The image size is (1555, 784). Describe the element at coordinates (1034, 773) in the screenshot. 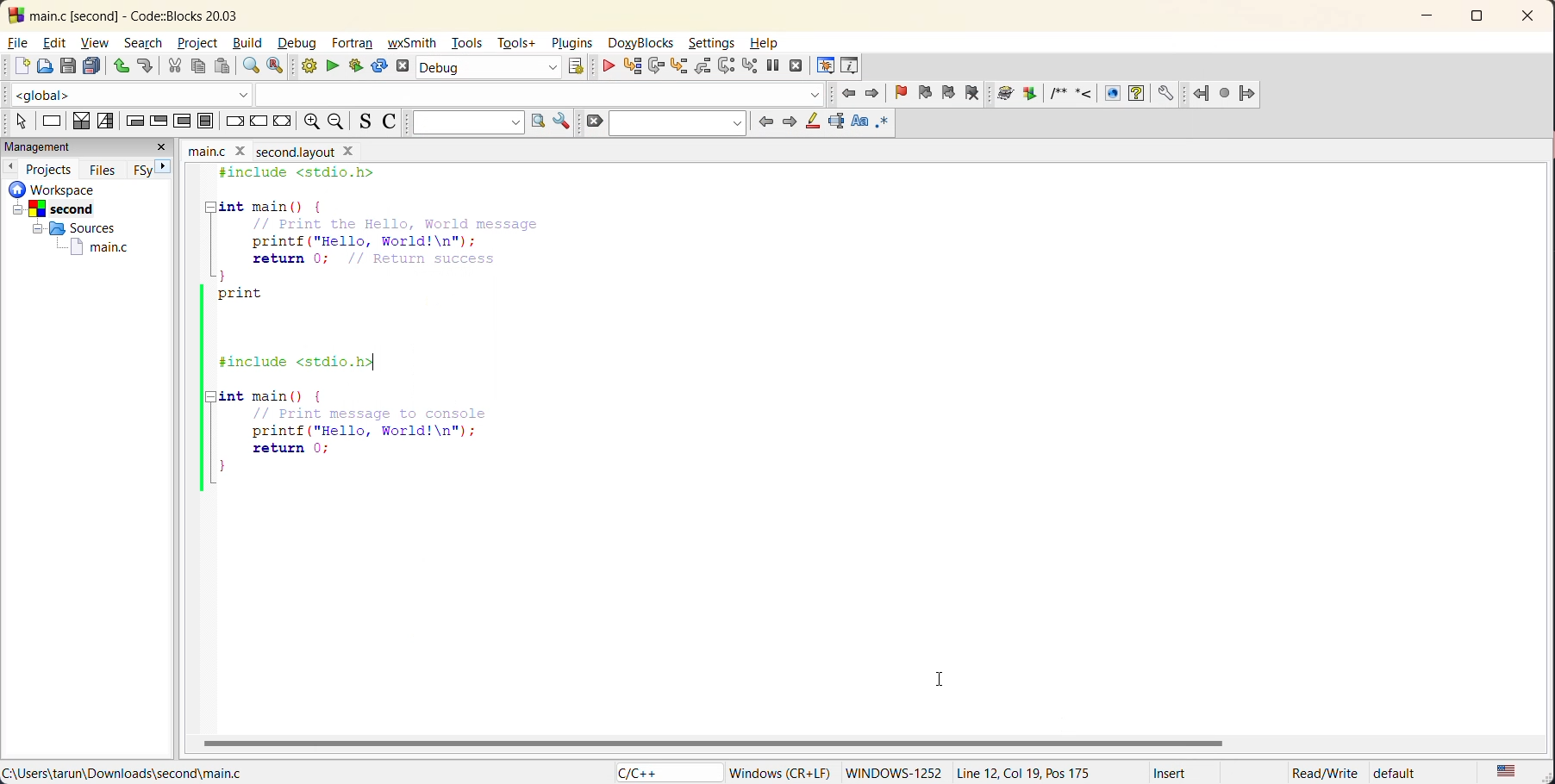

I see `Line 12, col 19, pos 175` at that location.